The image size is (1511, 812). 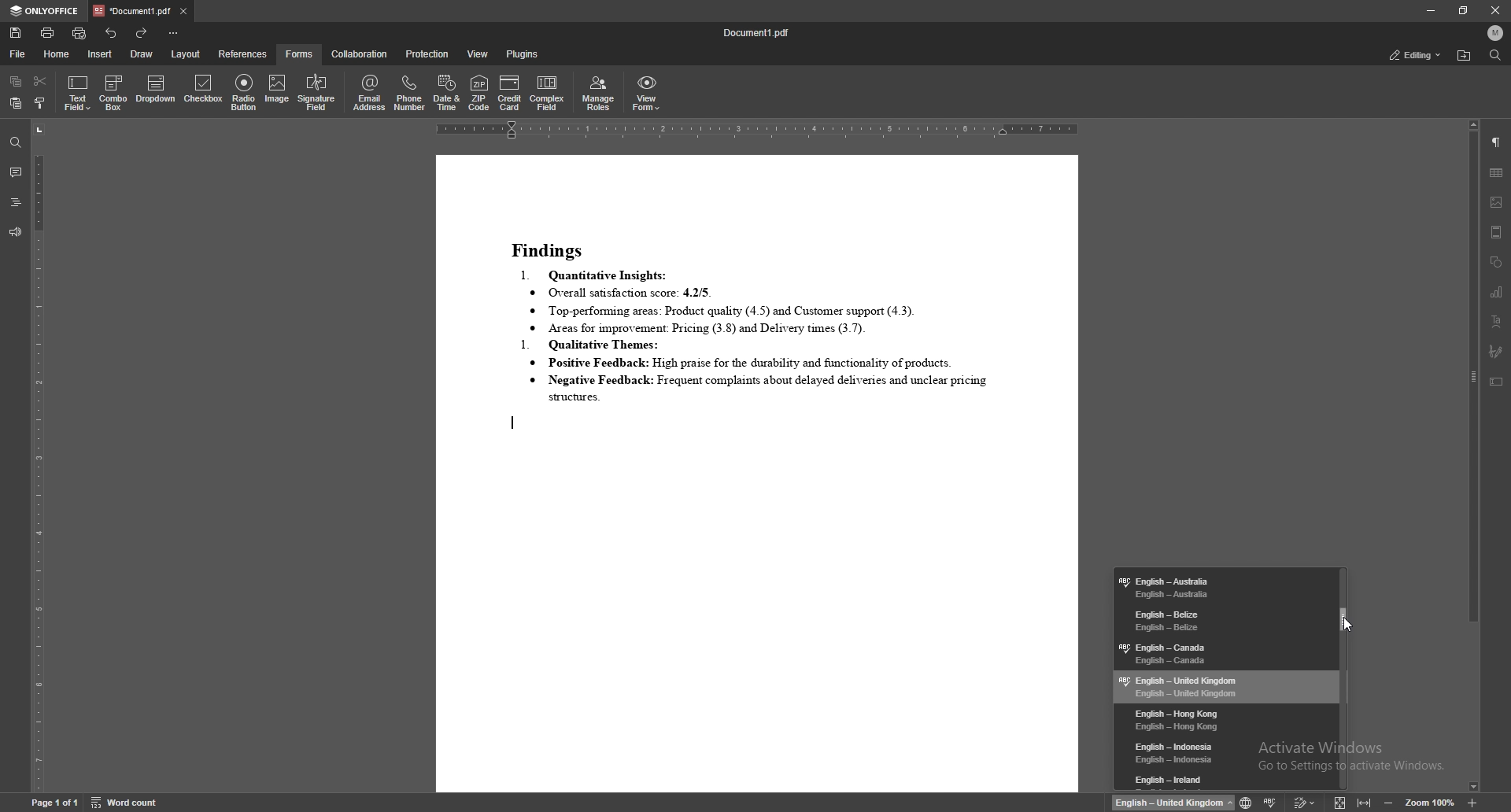 I want to click on language, so click(x=1220, y=620).